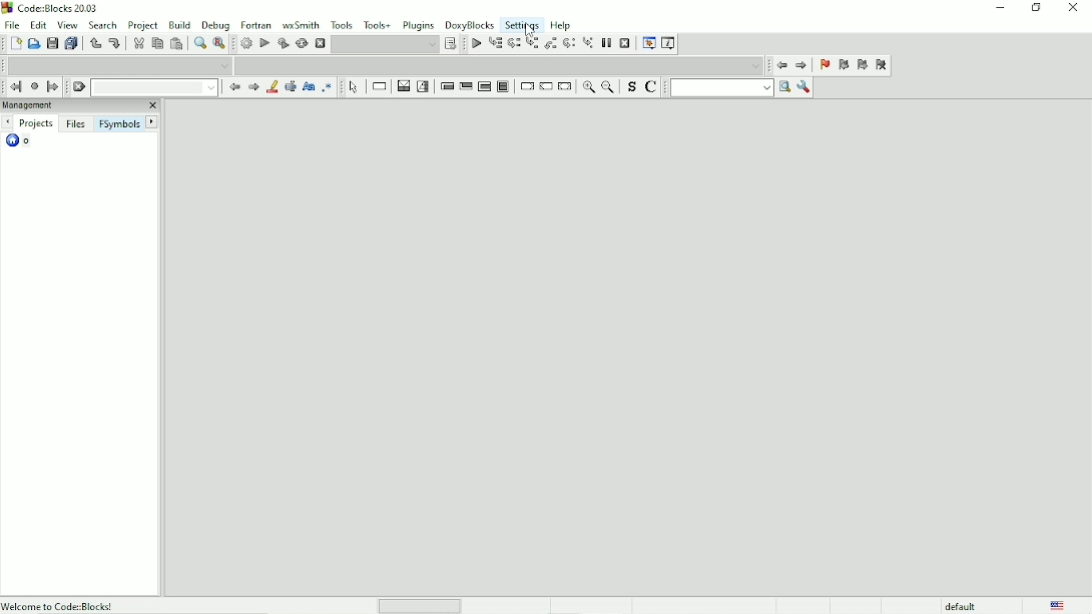 The width and height of the screenshot is (1092, 614). Describe the element at coordinates (342, 25) in the screenshot. I see `Tools` at that location.